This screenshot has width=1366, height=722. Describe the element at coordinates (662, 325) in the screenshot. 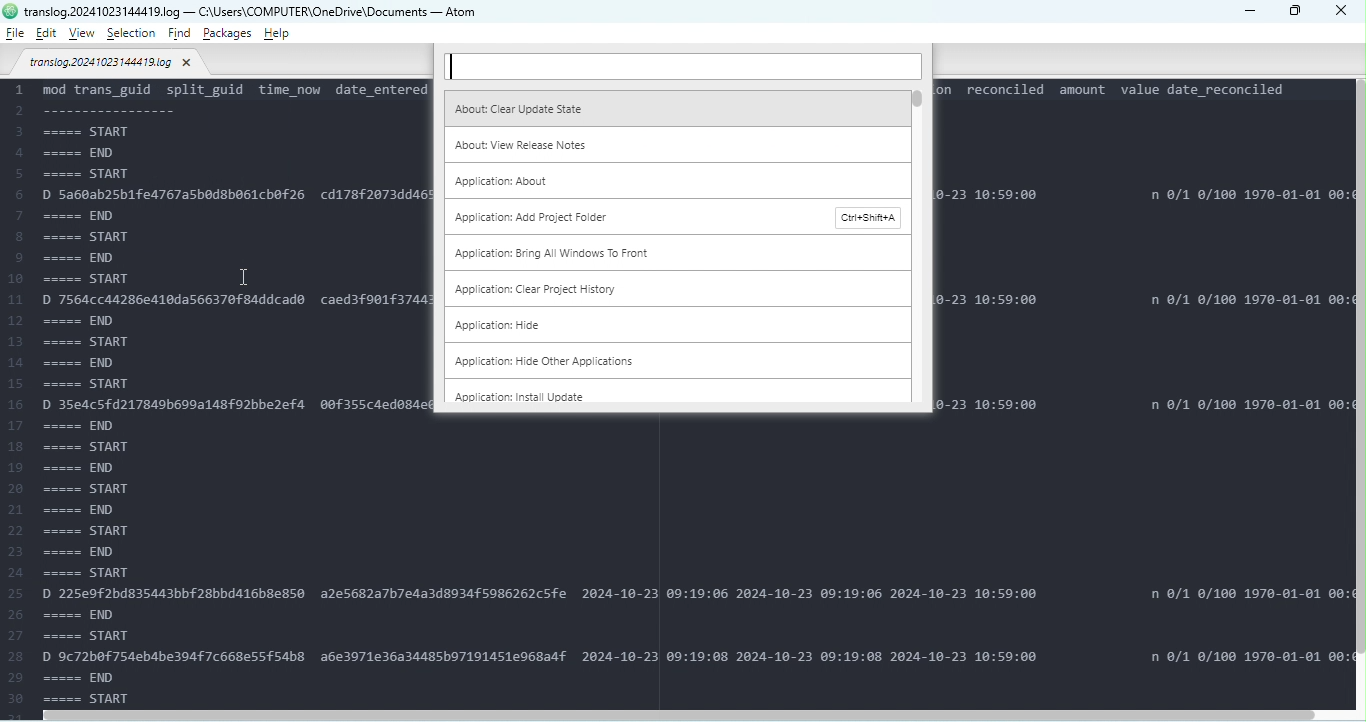

I see `Application: Hide` at that location.